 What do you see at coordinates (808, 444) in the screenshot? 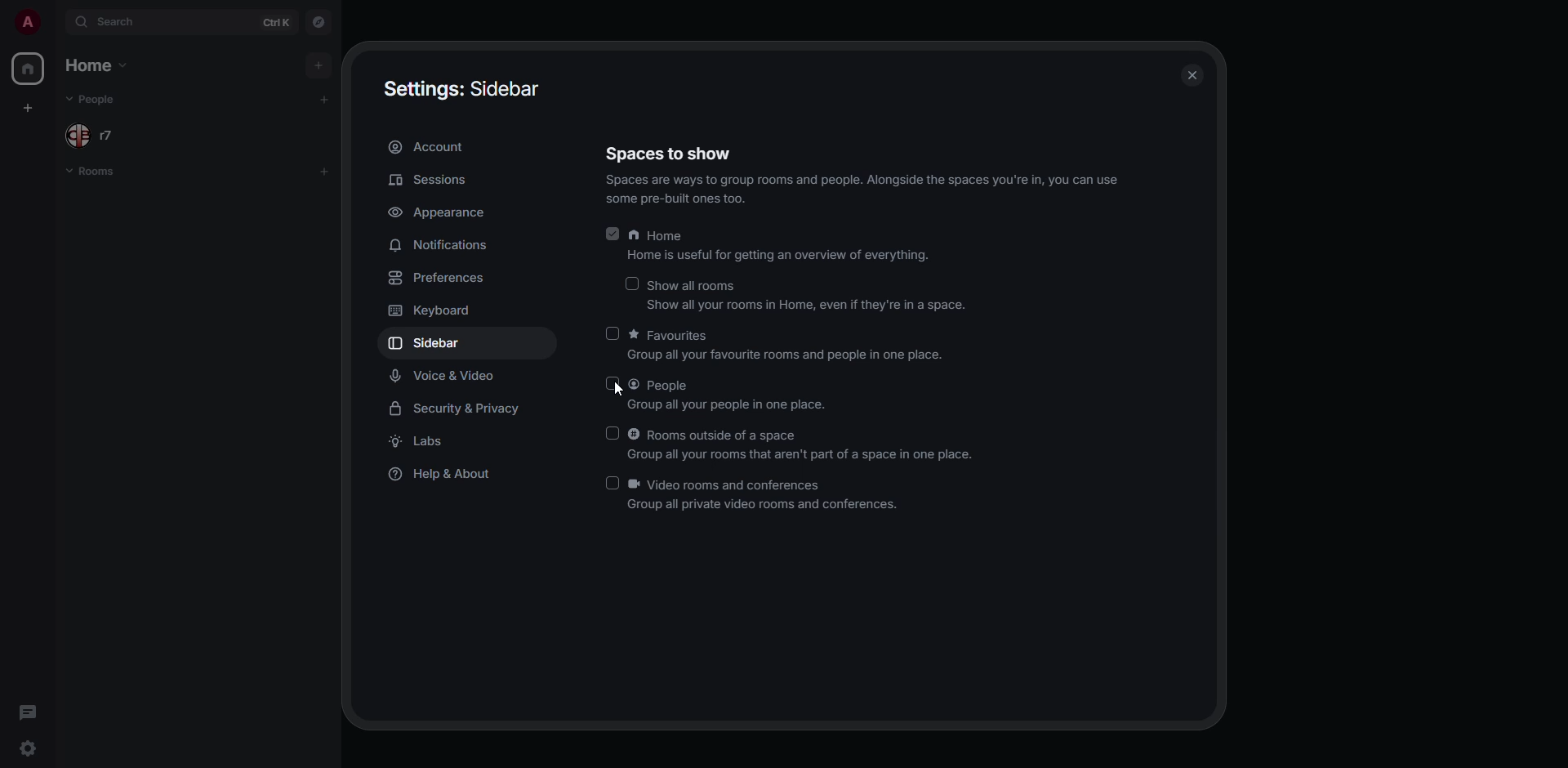
I see `rooms outside of a space` at bounding box center [808, 444].